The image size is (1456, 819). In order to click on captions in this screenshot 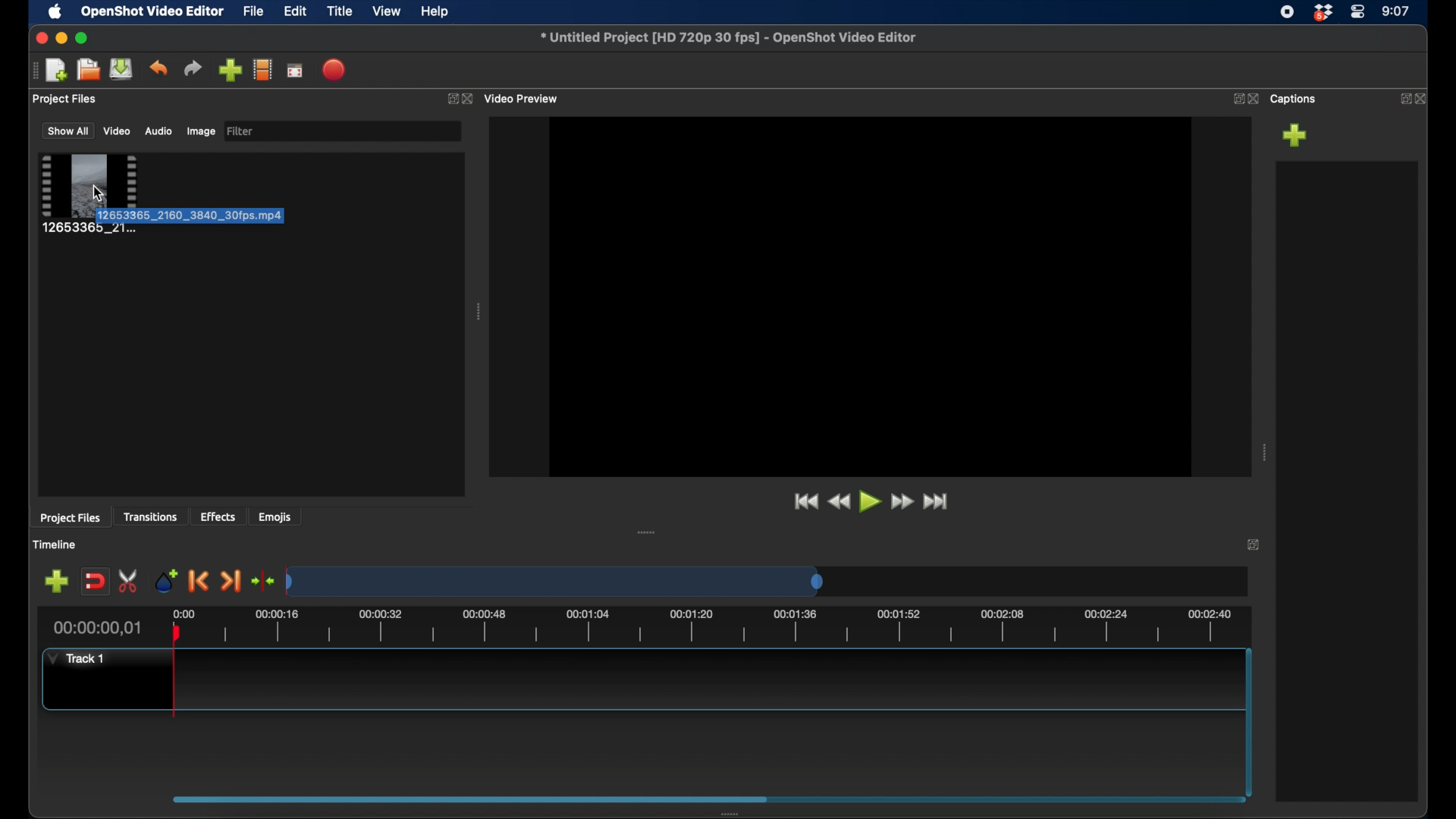, I will do `click(1295, 99)`.